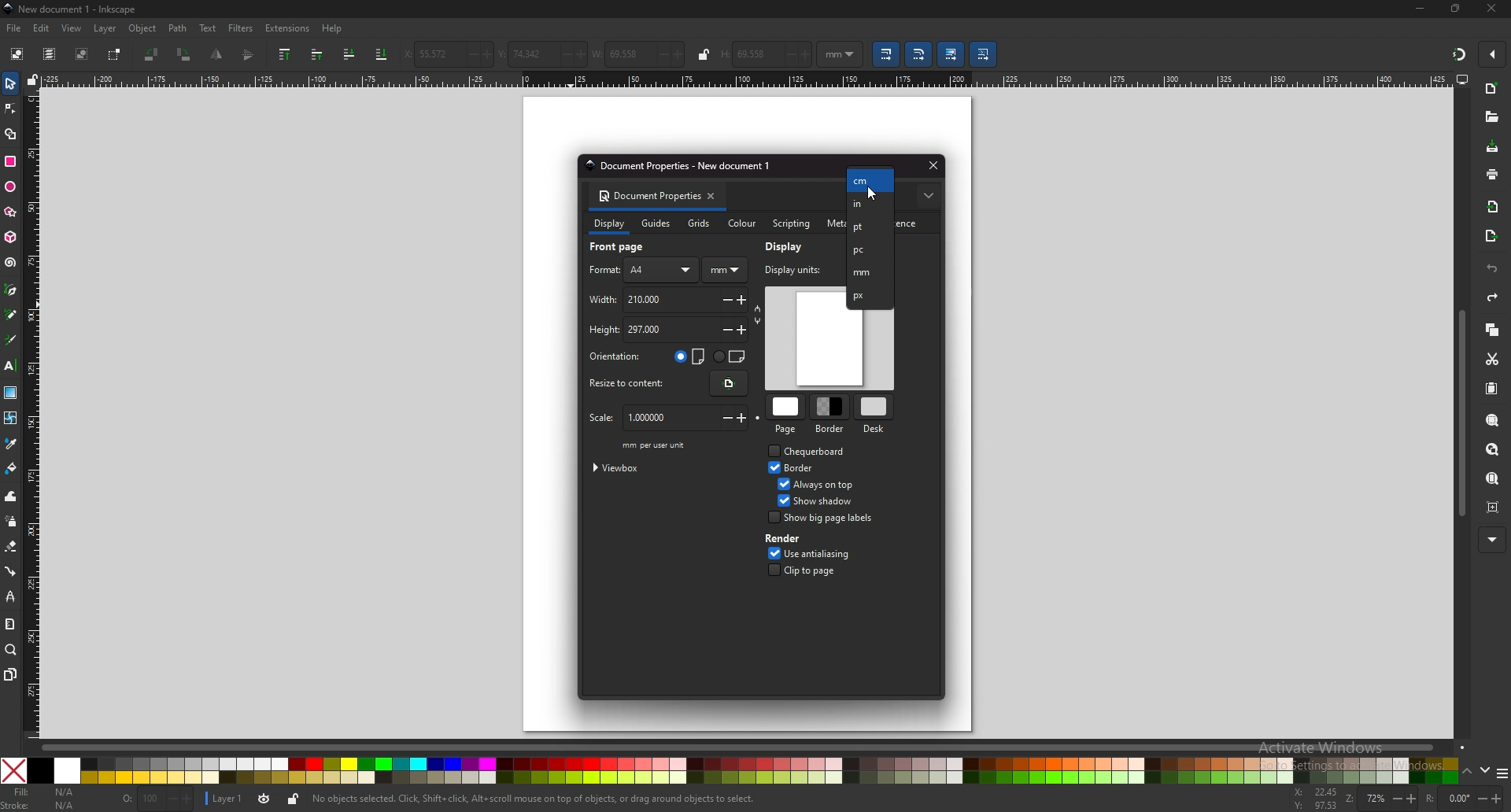  What do you see at coordinates (724, 56) in the screenshot?
I see `H` at bounding box center [724, 56].